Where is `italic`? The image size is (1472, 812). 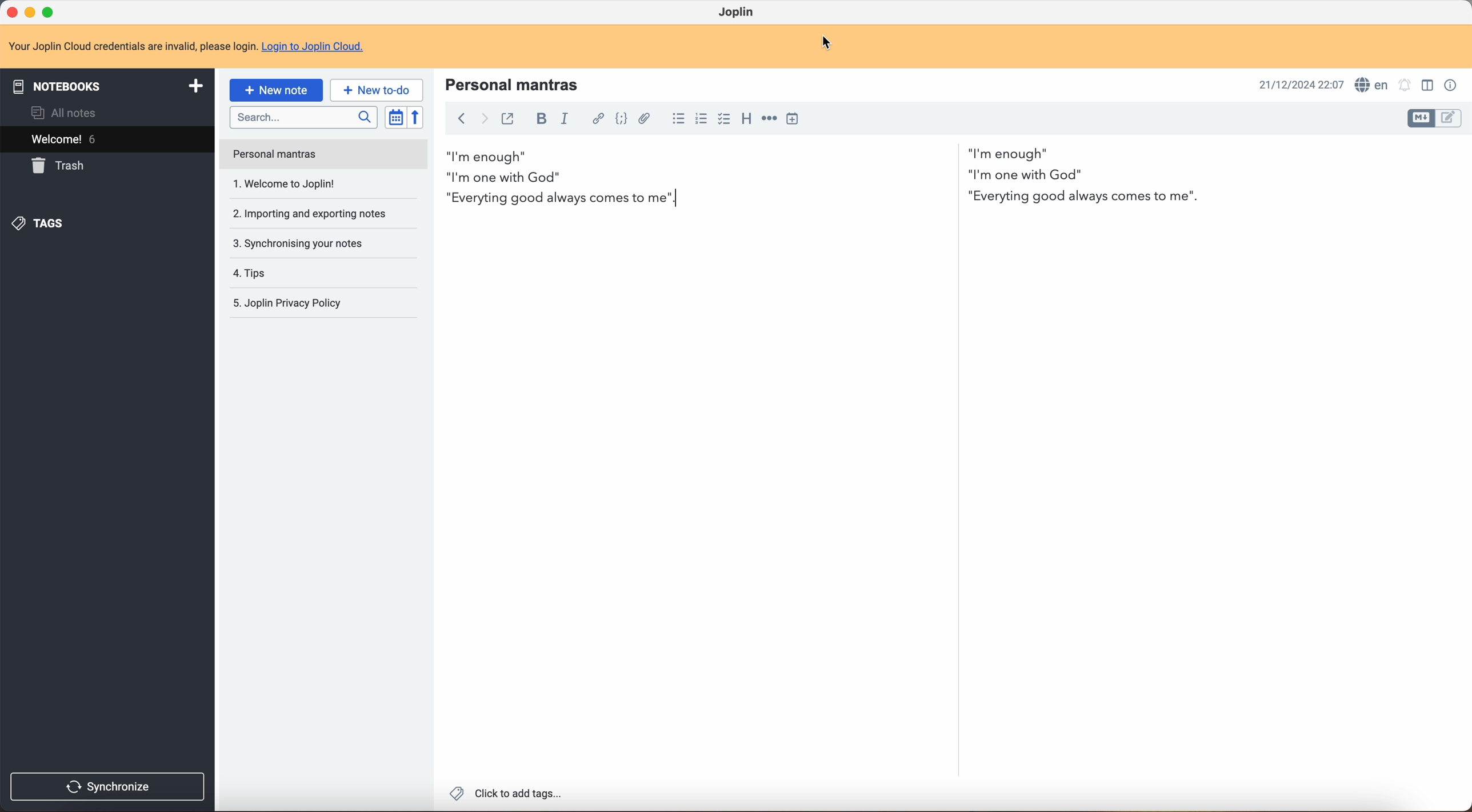 italic is located at coordinates (567, 120).